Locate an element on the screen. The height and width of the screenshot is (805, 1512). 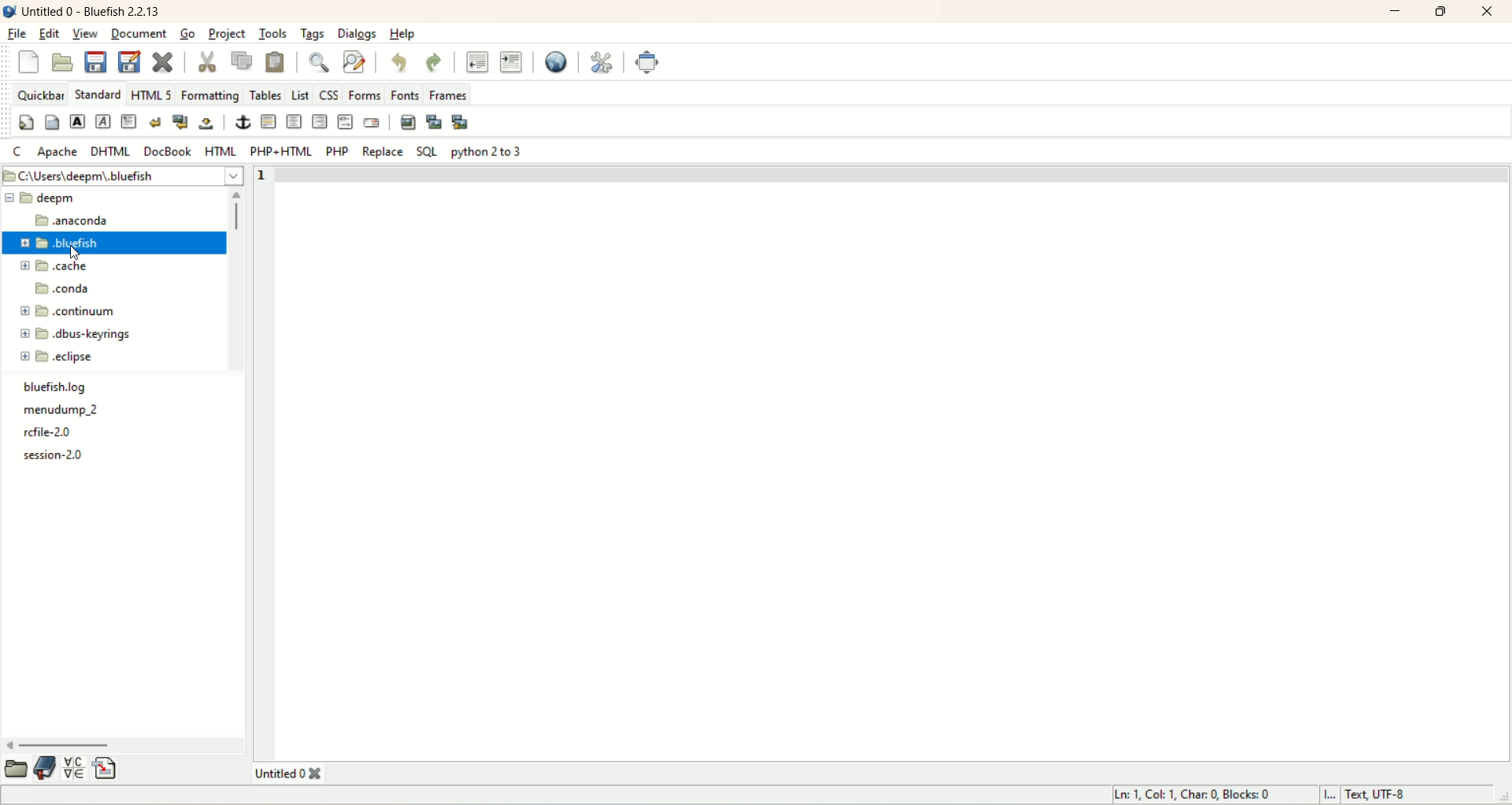
show find bar is located at coordinates (320, 63).